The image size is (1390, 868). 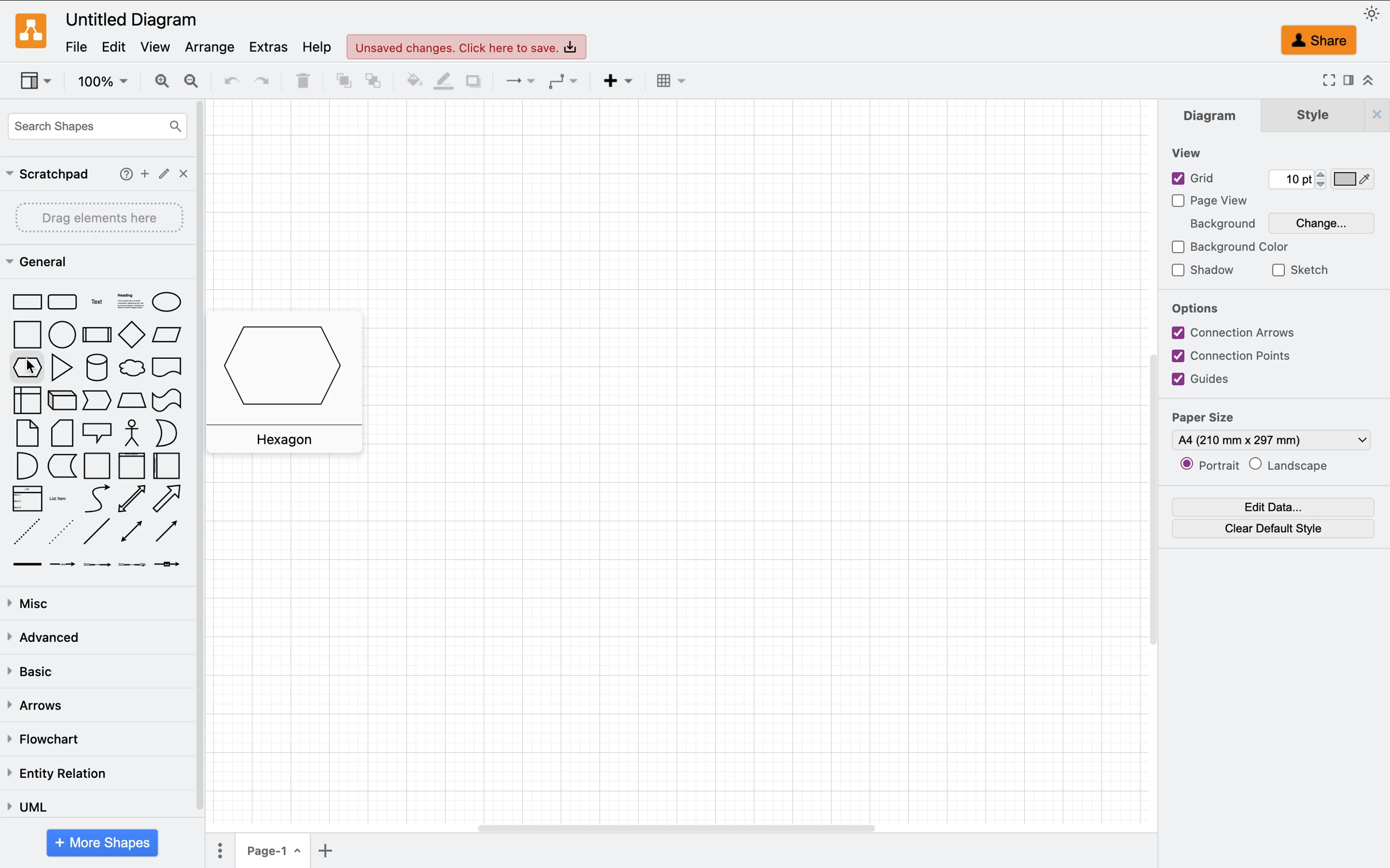 What do you see at coordinates (132, 498) in the screenshot?
I see `bidirectional arrow` at bounding box center [132, 498].